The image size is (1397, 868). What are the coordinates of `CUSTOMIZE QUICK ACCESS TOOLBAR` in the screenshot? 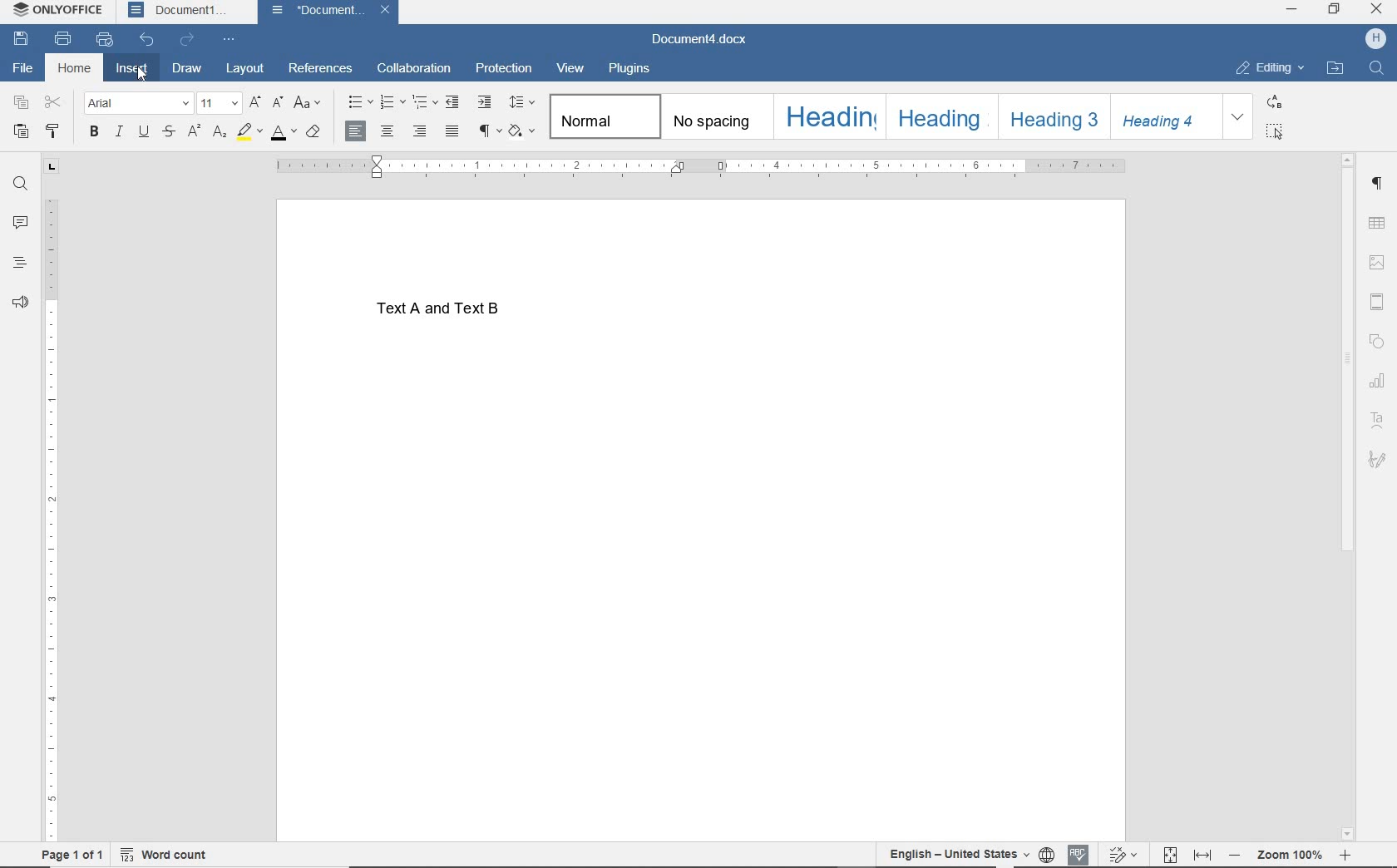 It's located at (231, 37).